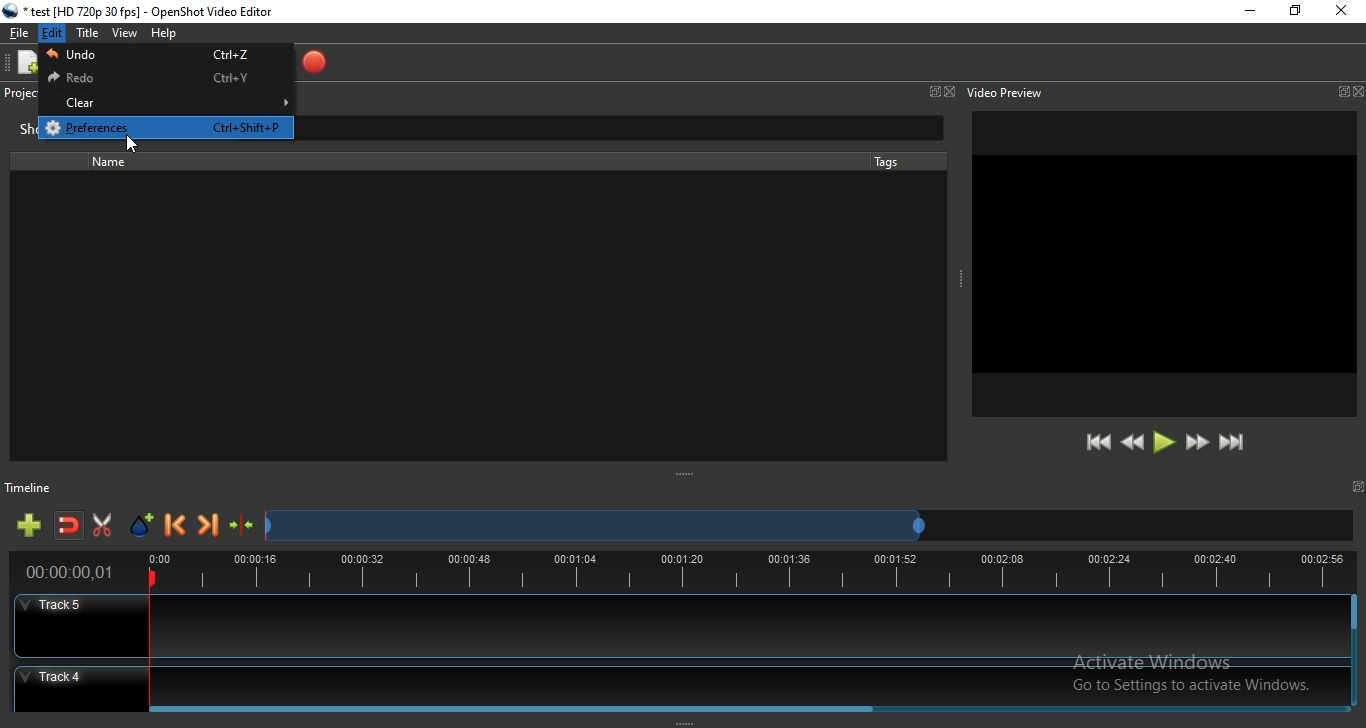 This screenshot has width=1366, height=728. I want to click on Jump to start, so click(1099, 443).